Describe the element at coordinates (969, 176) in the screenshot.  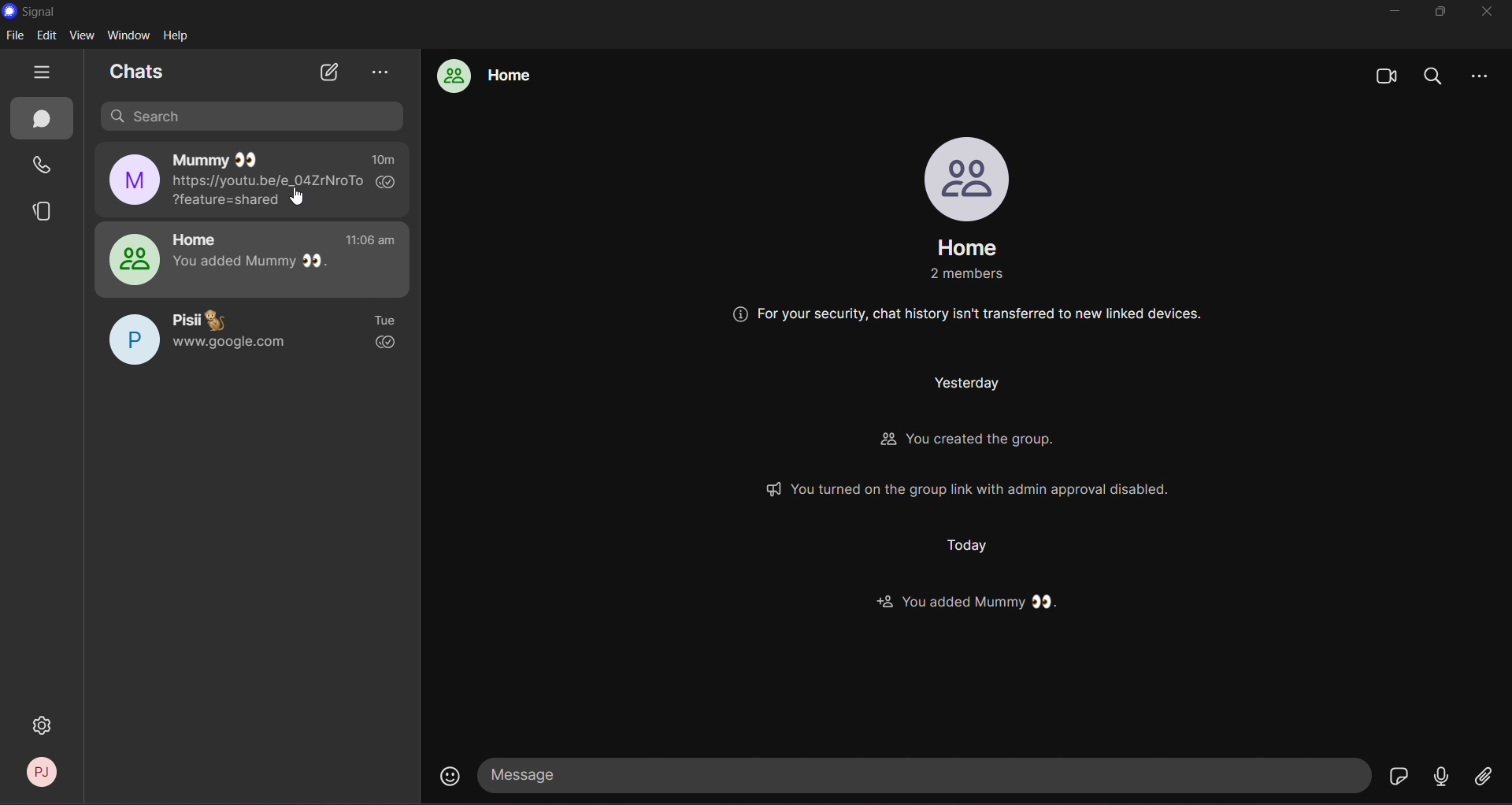
I see `profile` at that location.